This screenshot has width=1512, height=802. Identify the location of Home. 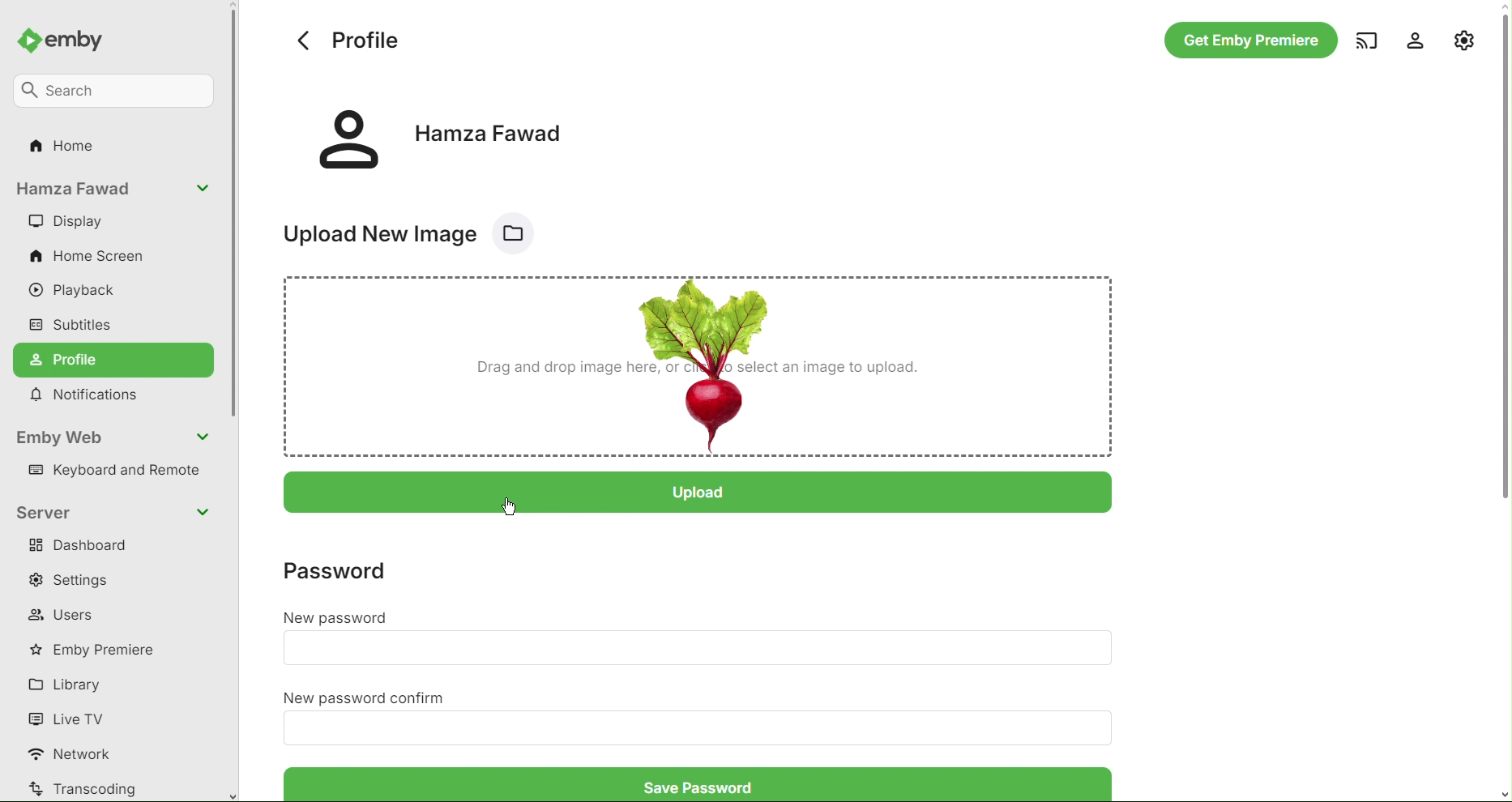
(66, 150).